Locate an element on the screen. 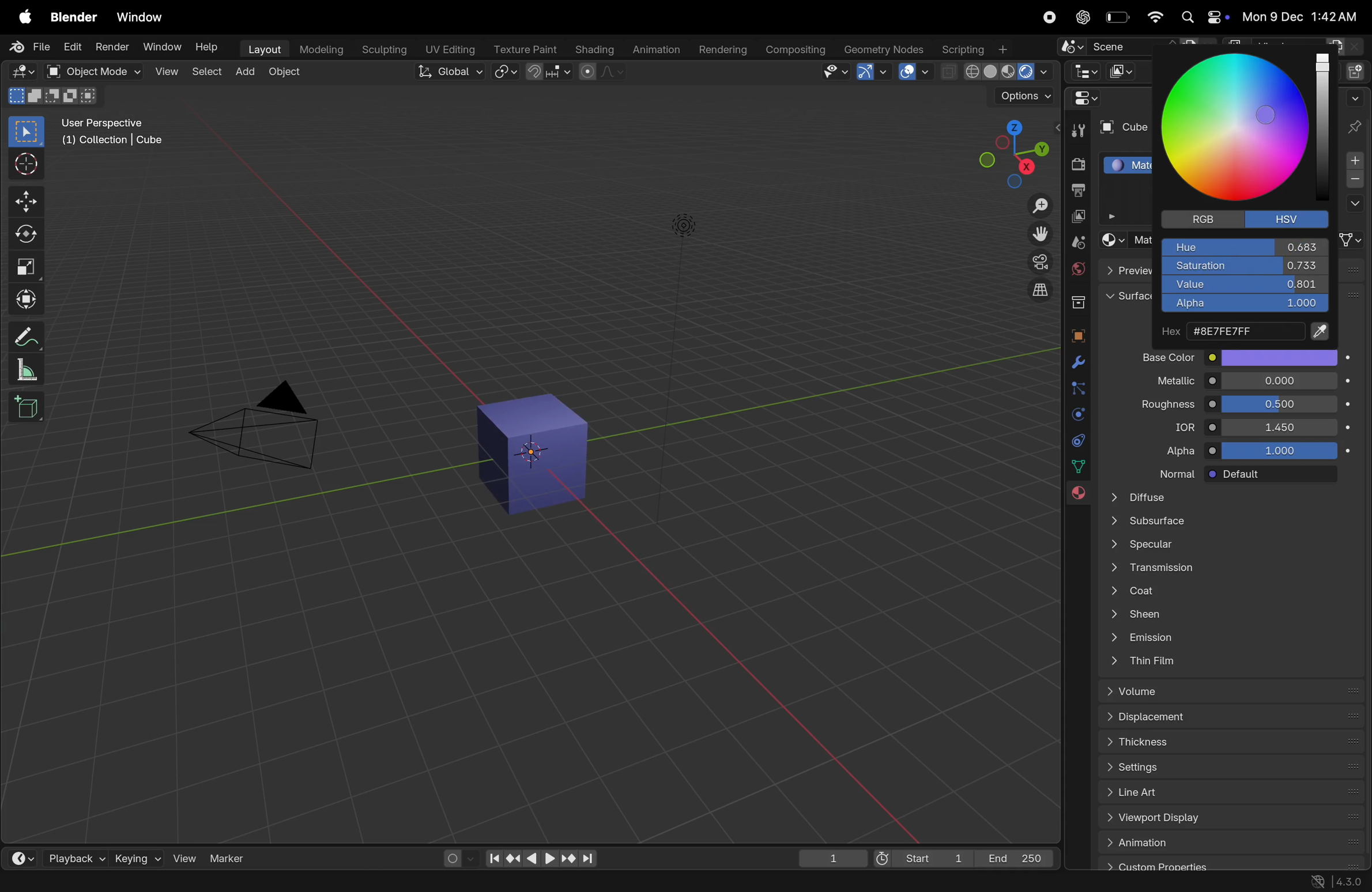 Image resolution: width=1372 pixels, height=892 pixels. view is located at coordinates (178, 857).